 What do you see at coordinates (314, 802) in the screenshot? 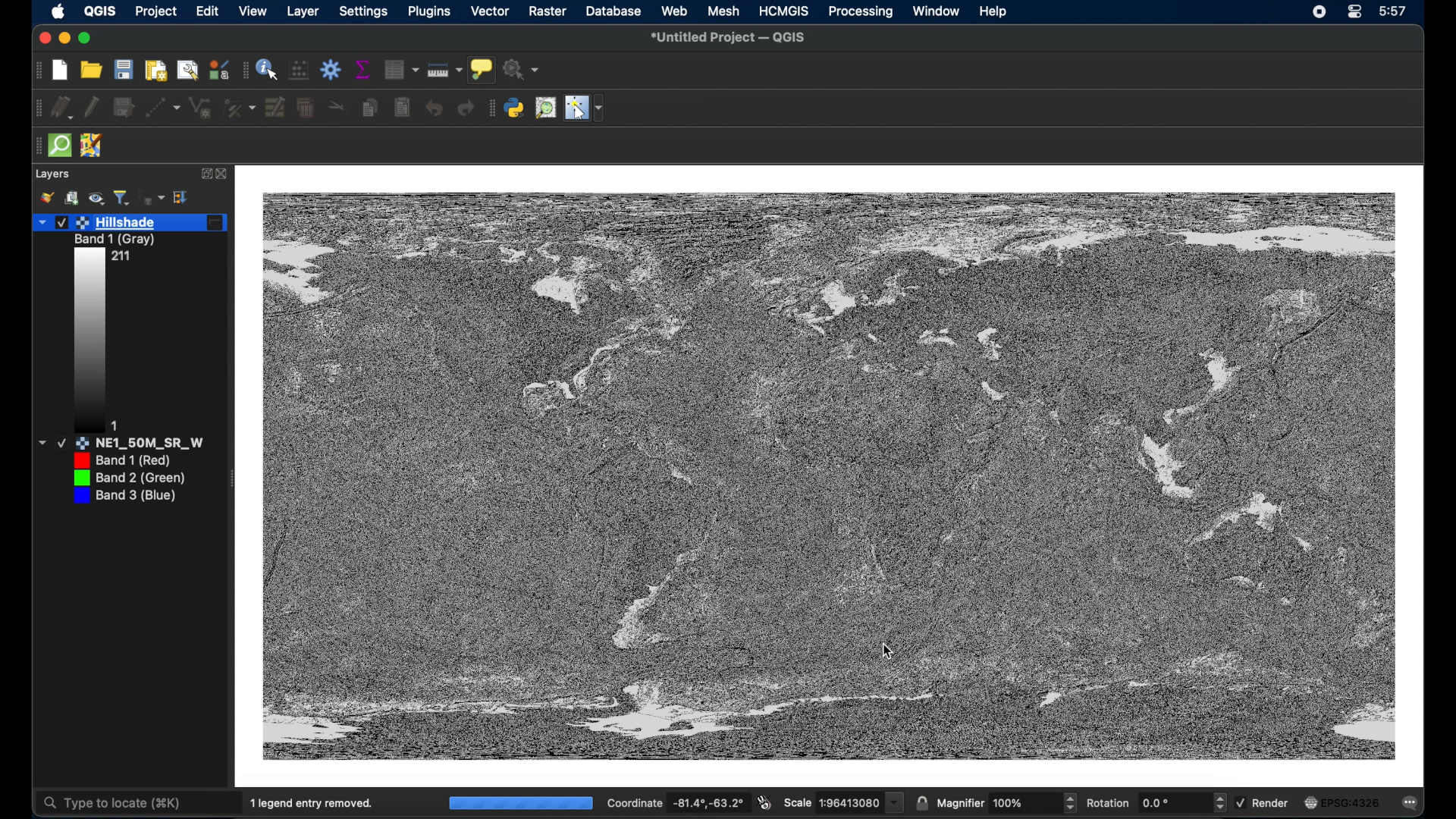
I see `1 legen entry removed` at bounding box center [314, 802].